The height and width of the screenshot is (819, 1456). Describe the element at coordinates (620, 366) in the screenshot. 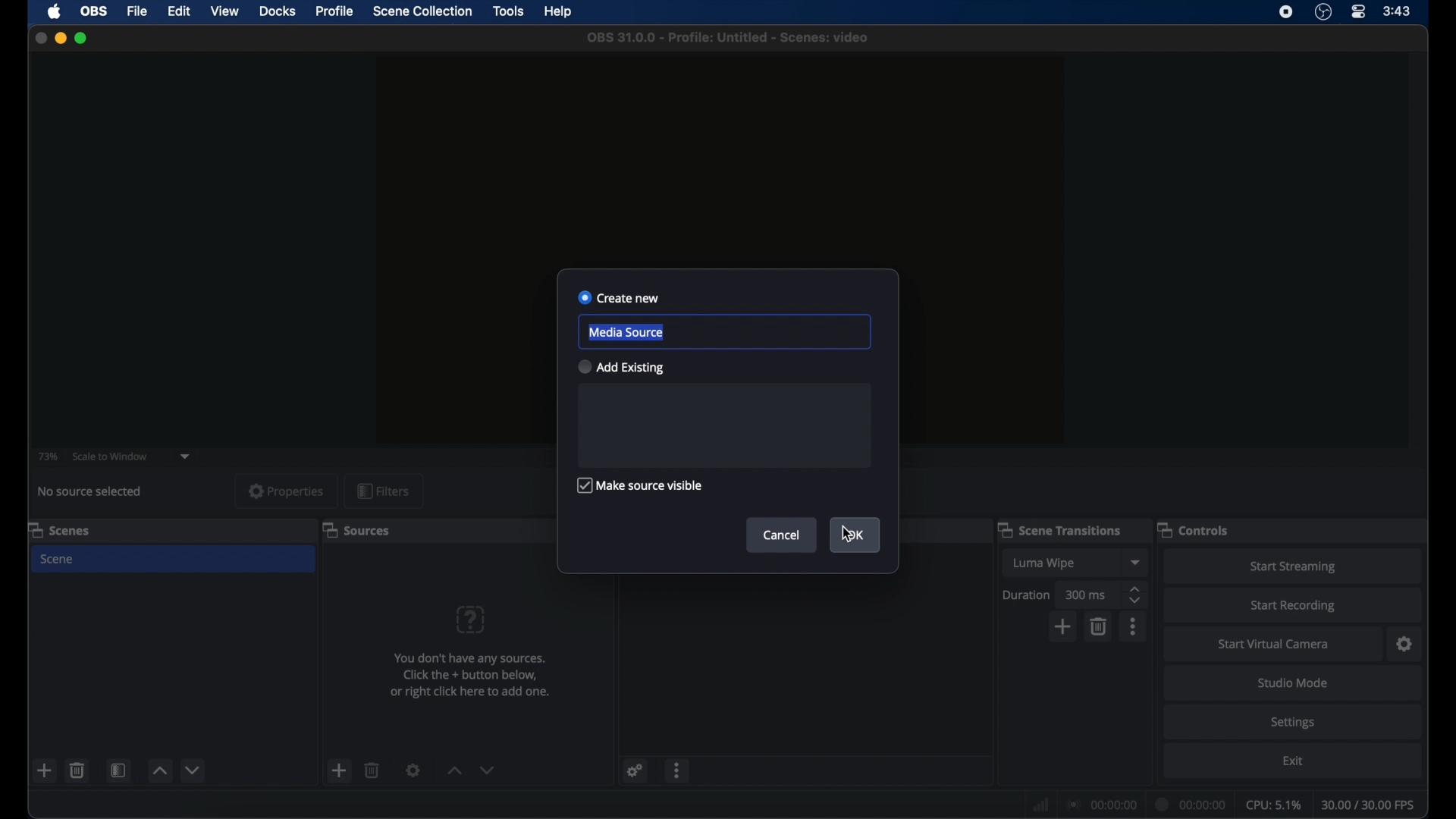

I see `add existing` at that location.